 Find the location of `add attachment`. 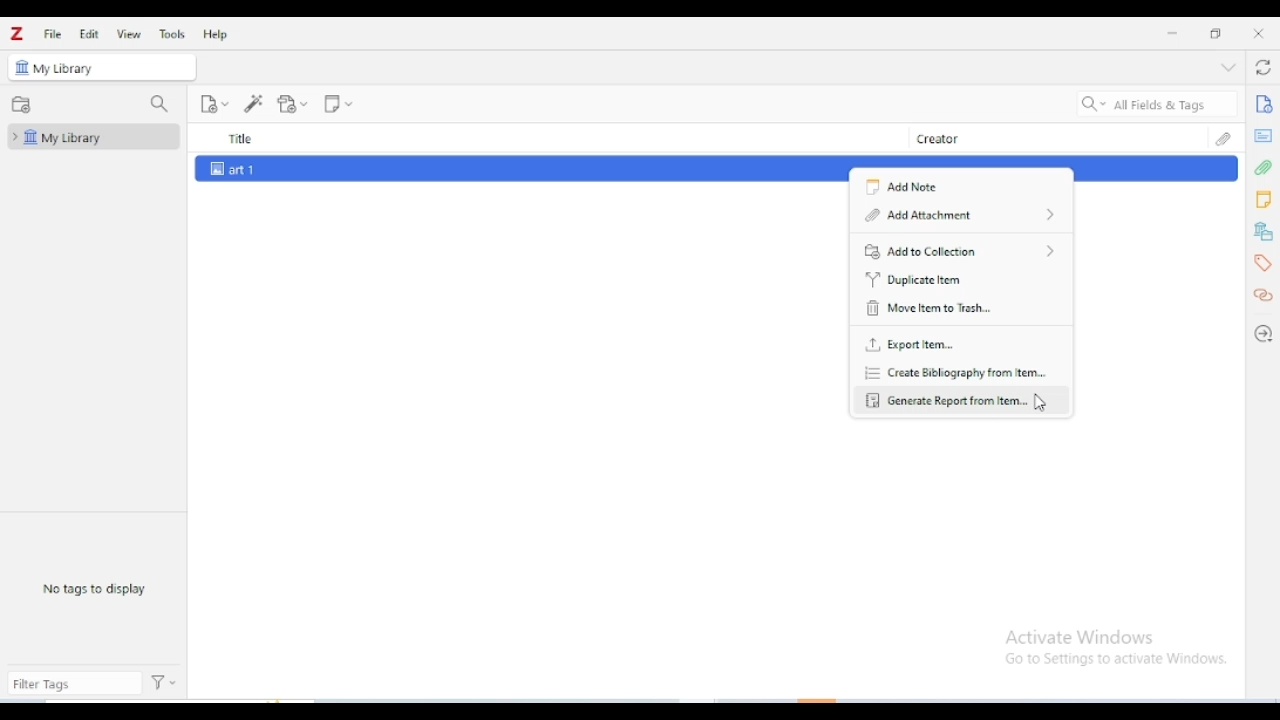

add attachment is located at coordinates (292, 104).